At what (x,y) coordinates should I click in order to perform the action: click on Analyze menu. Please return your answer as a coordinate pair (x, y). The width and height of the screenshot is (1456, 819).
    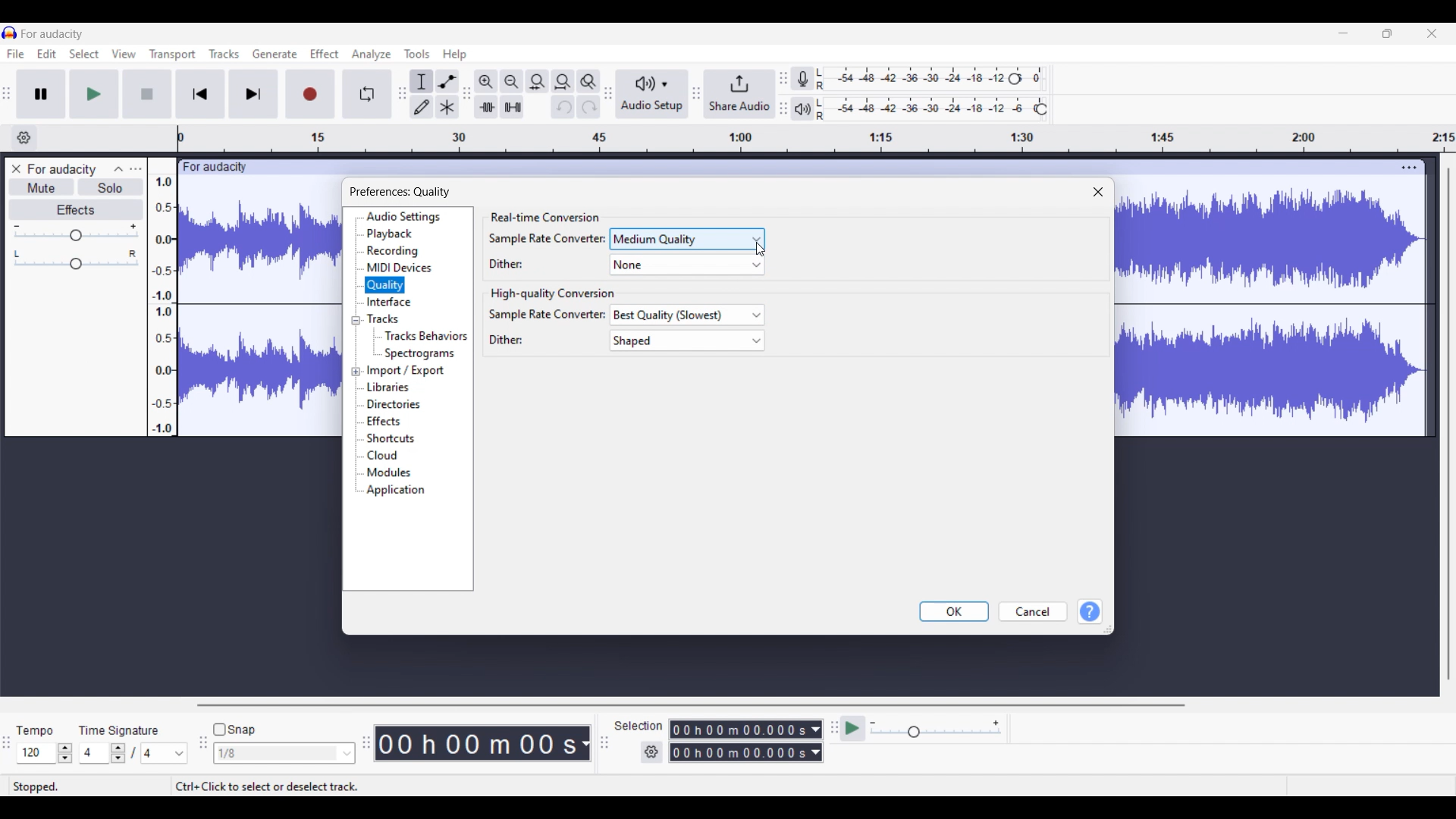
    Looking at the image, I should click on (372, 55).